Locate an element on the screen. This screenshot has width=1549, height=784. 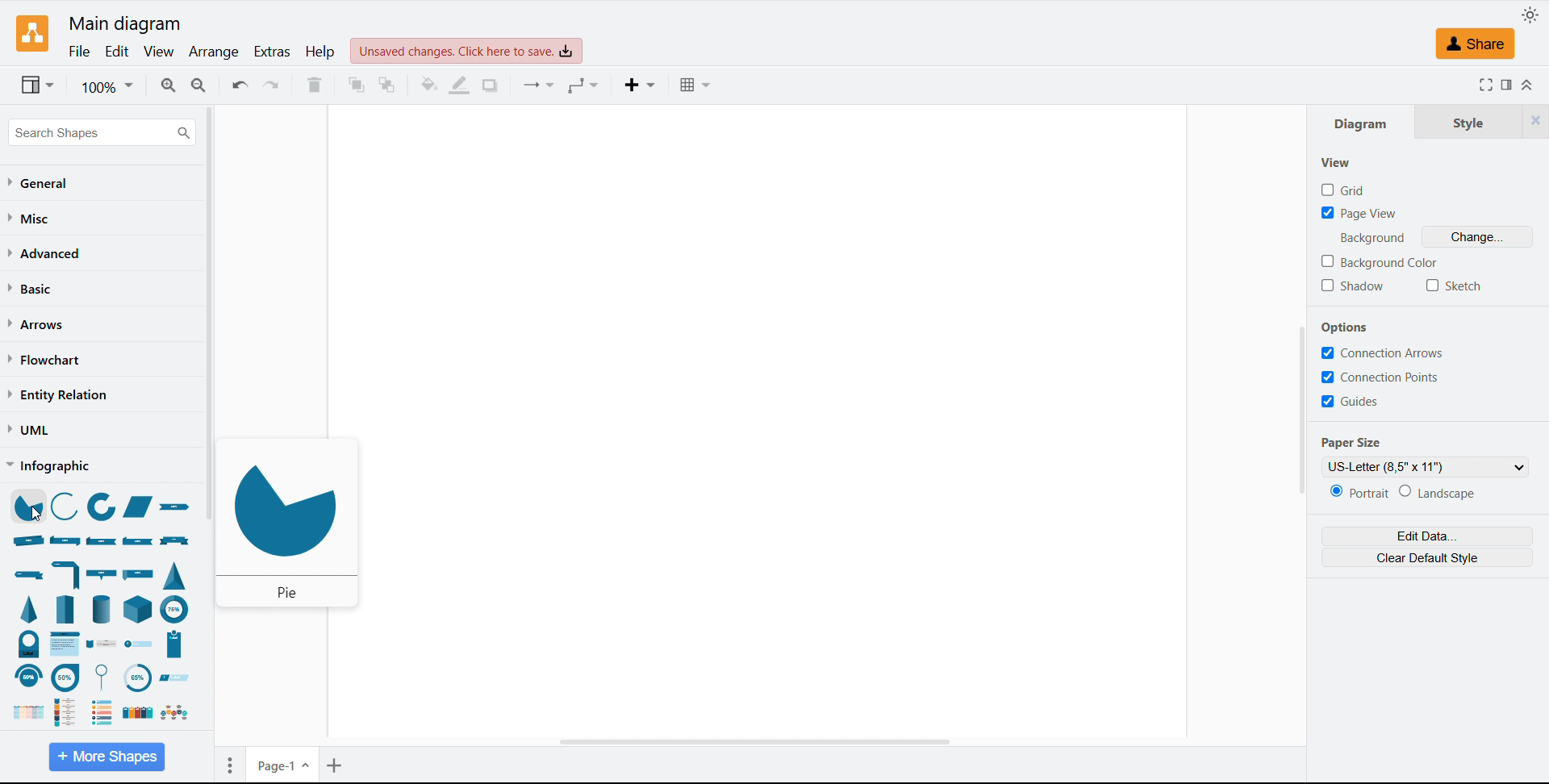
Page view  is located at coordinates (1361, 214).